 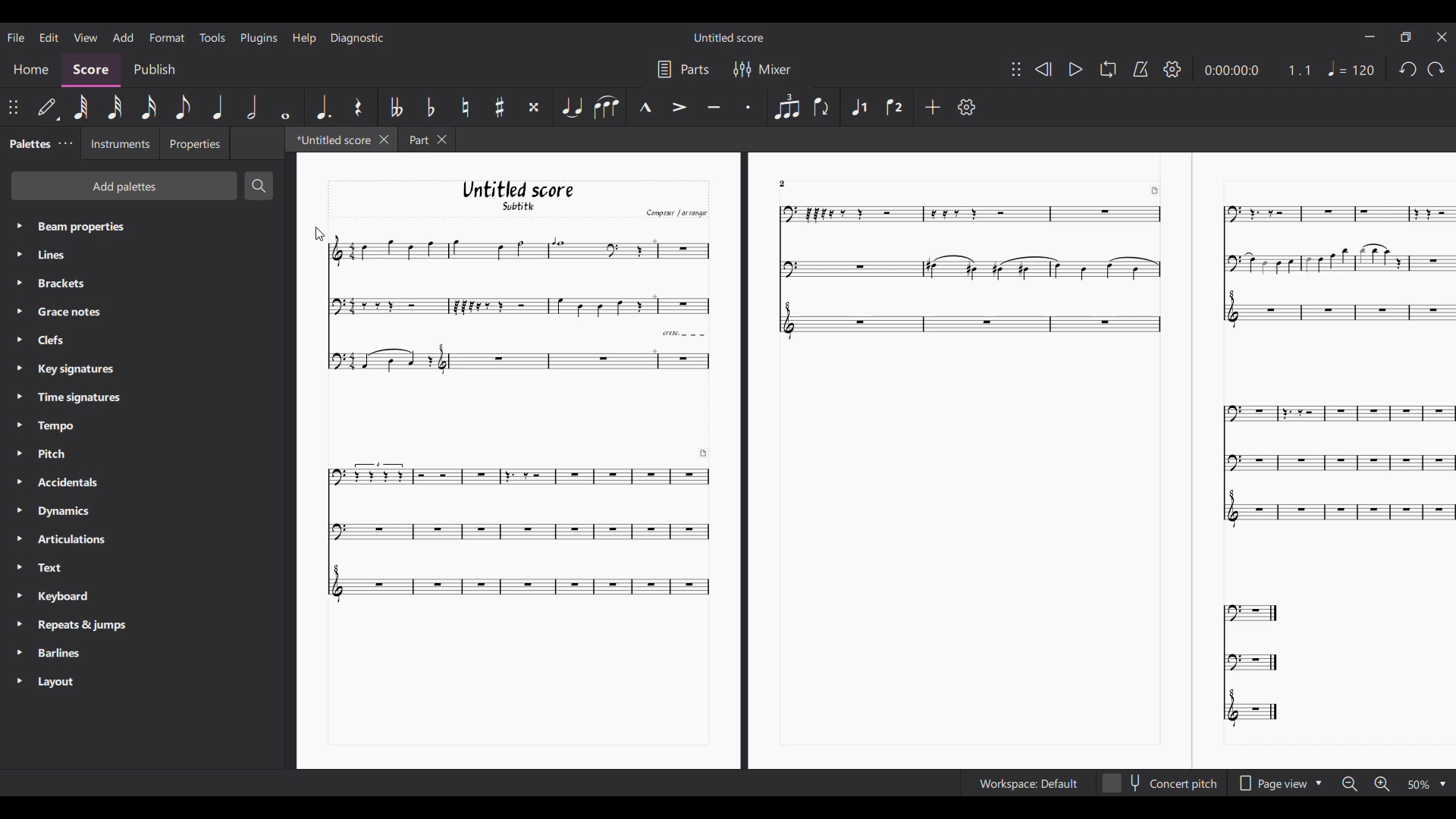 I want to click on , so click(x=17, y=540).